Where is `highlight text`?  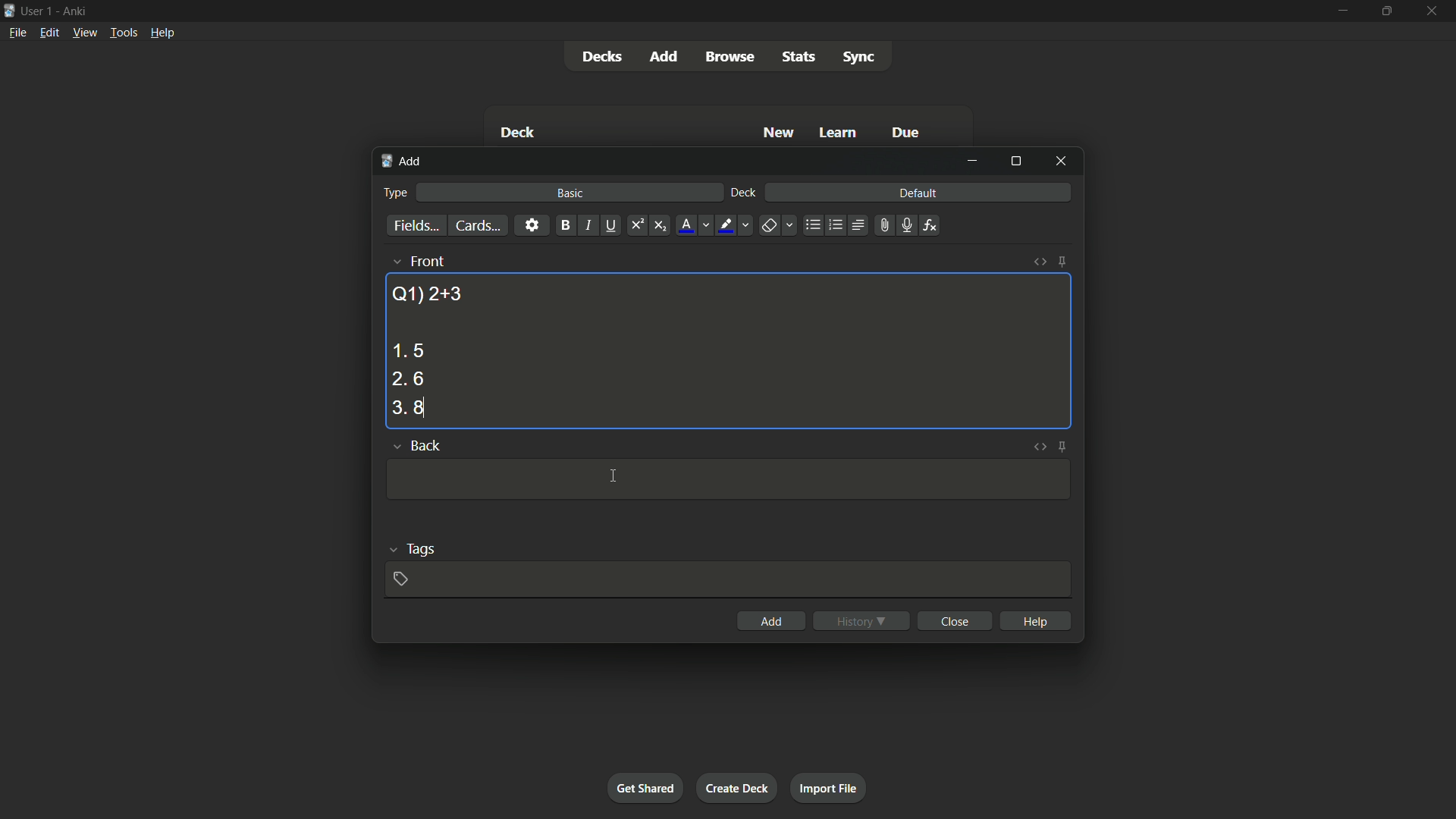 highlight text is located at coordinates (723, 226).